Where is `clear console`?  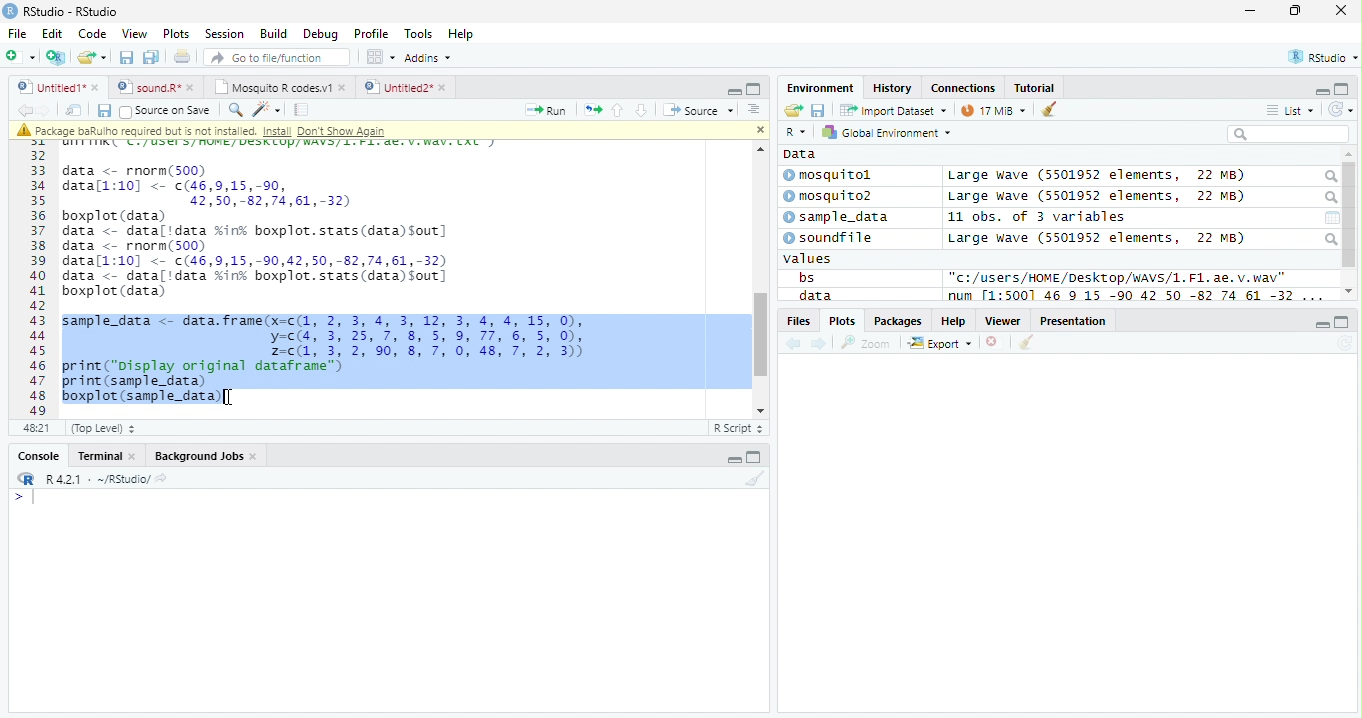 clear console is located at coordinates (1049, 108).